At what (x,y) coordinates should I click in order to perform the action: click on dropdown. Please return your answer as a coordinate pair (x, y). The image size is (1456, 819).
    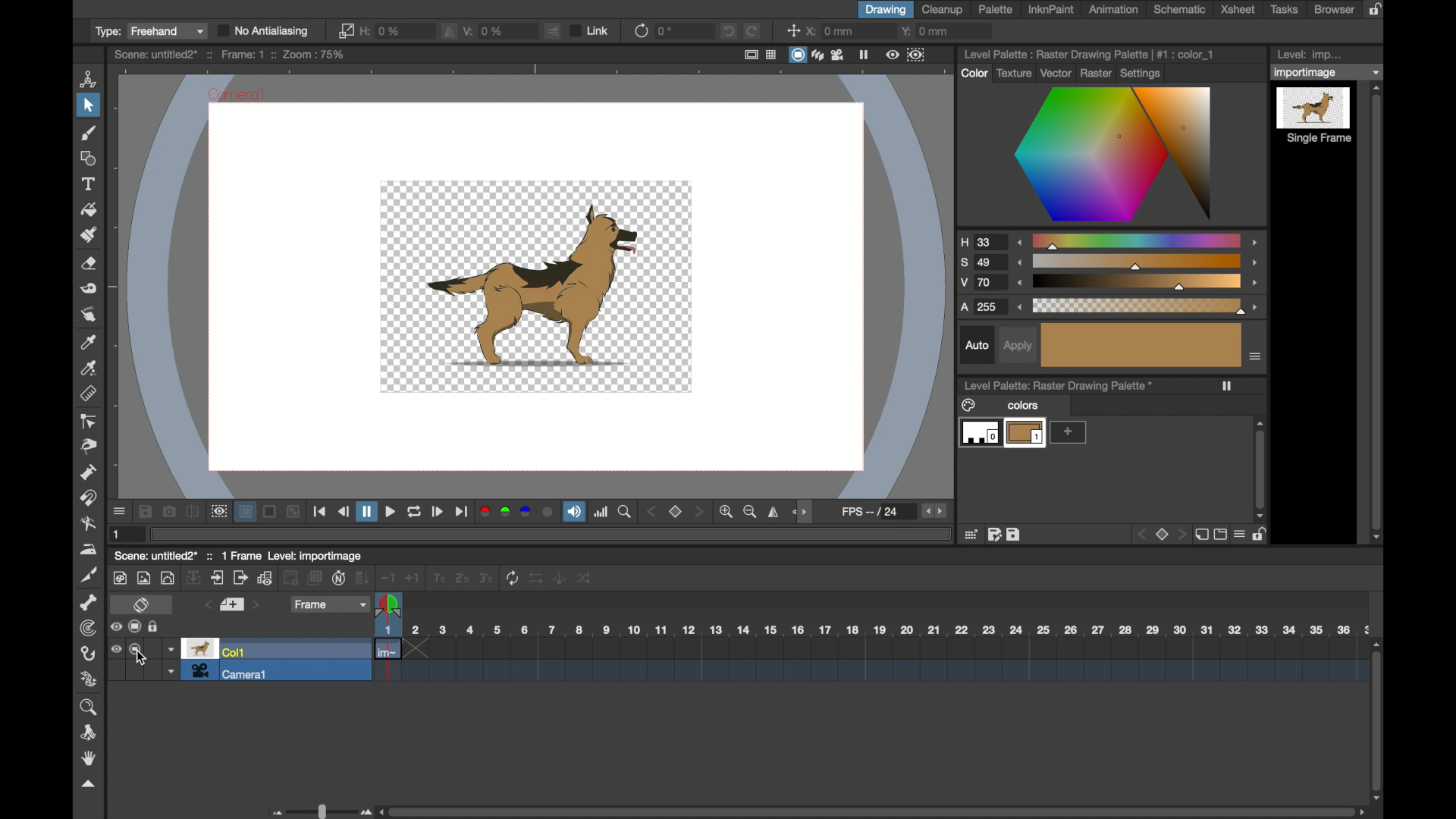
    Looking at the image, I should click on (171, 650).